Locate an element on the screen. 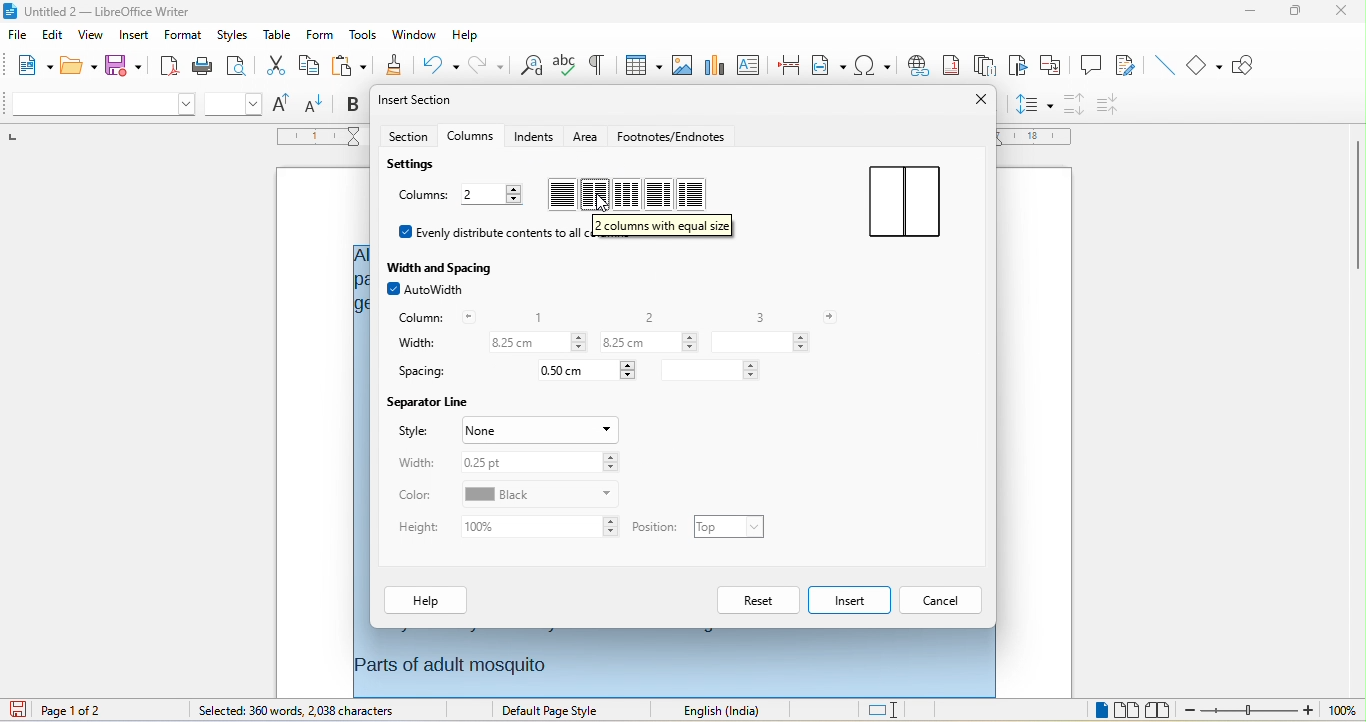 Image resolution: width=1366 pixels, height=722 pixels. columns is located at coordinates (421, 195).